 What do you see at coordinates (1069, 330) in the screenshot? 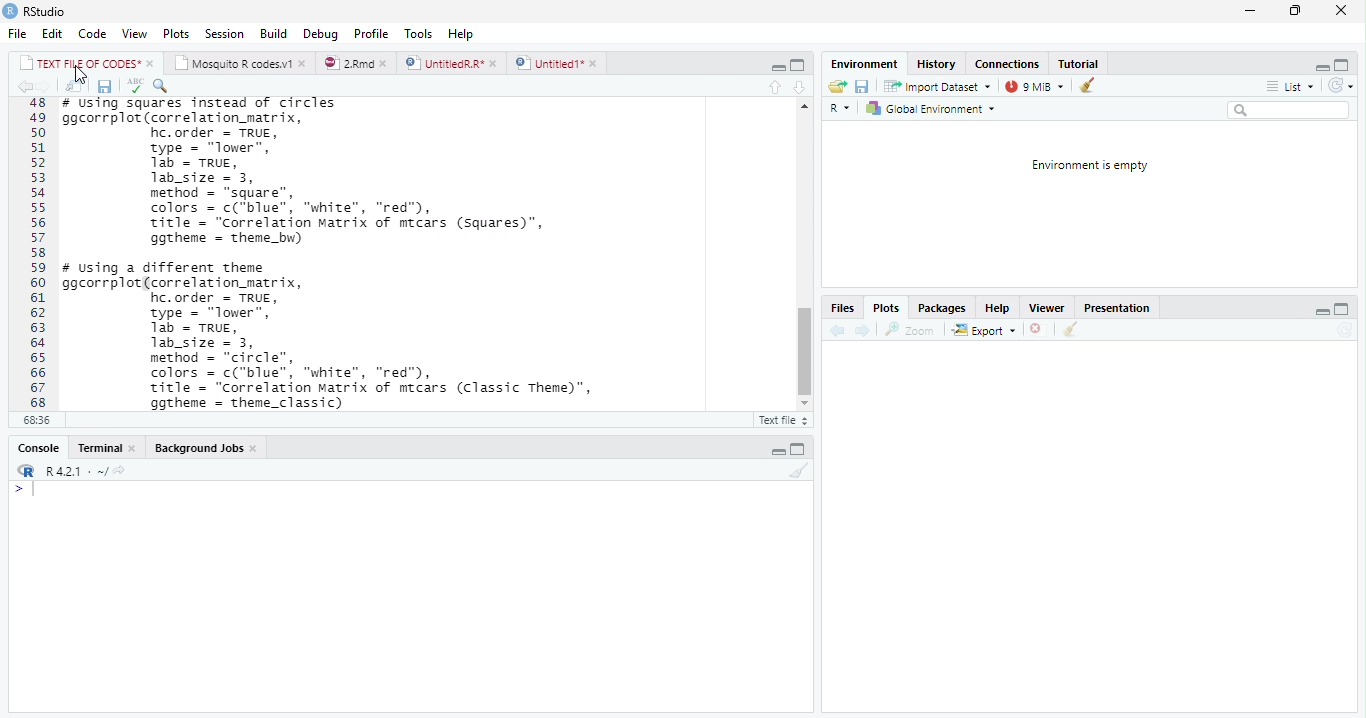
I see `clear all plots` at bounding box center [1069, 330].